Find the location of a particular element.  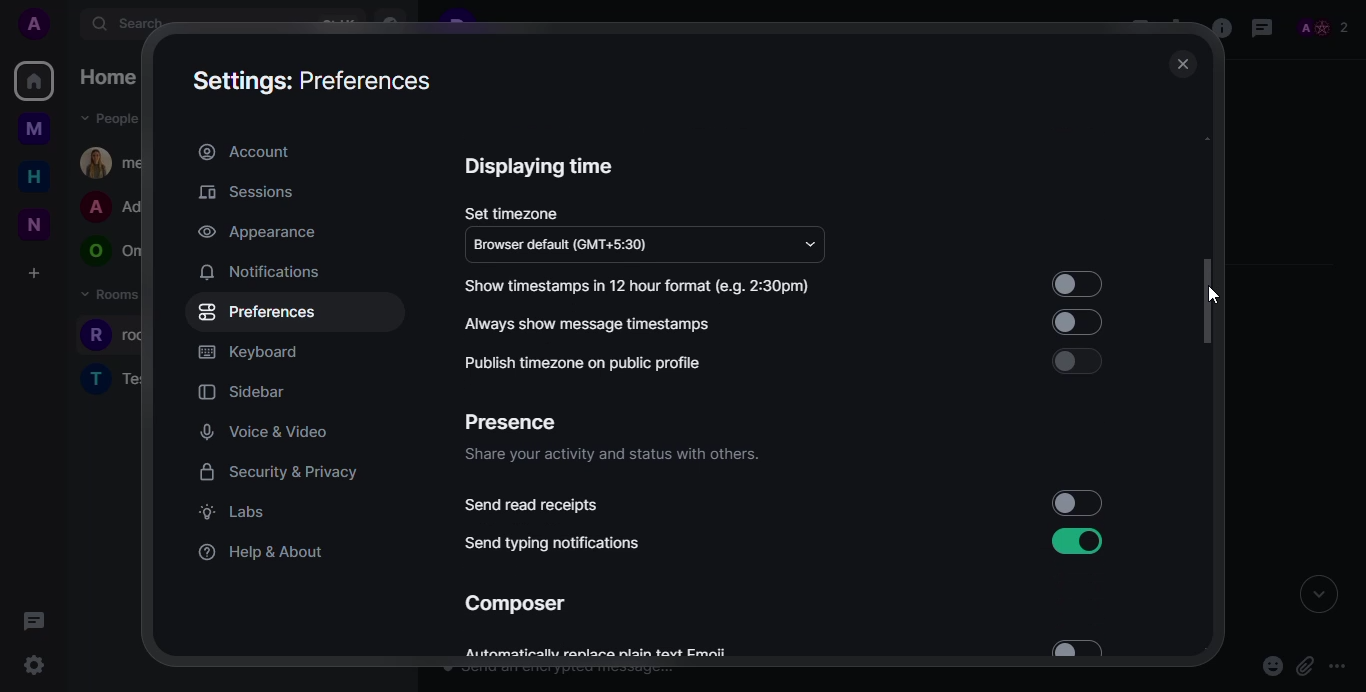

threads is located at coordinates (35, 621).